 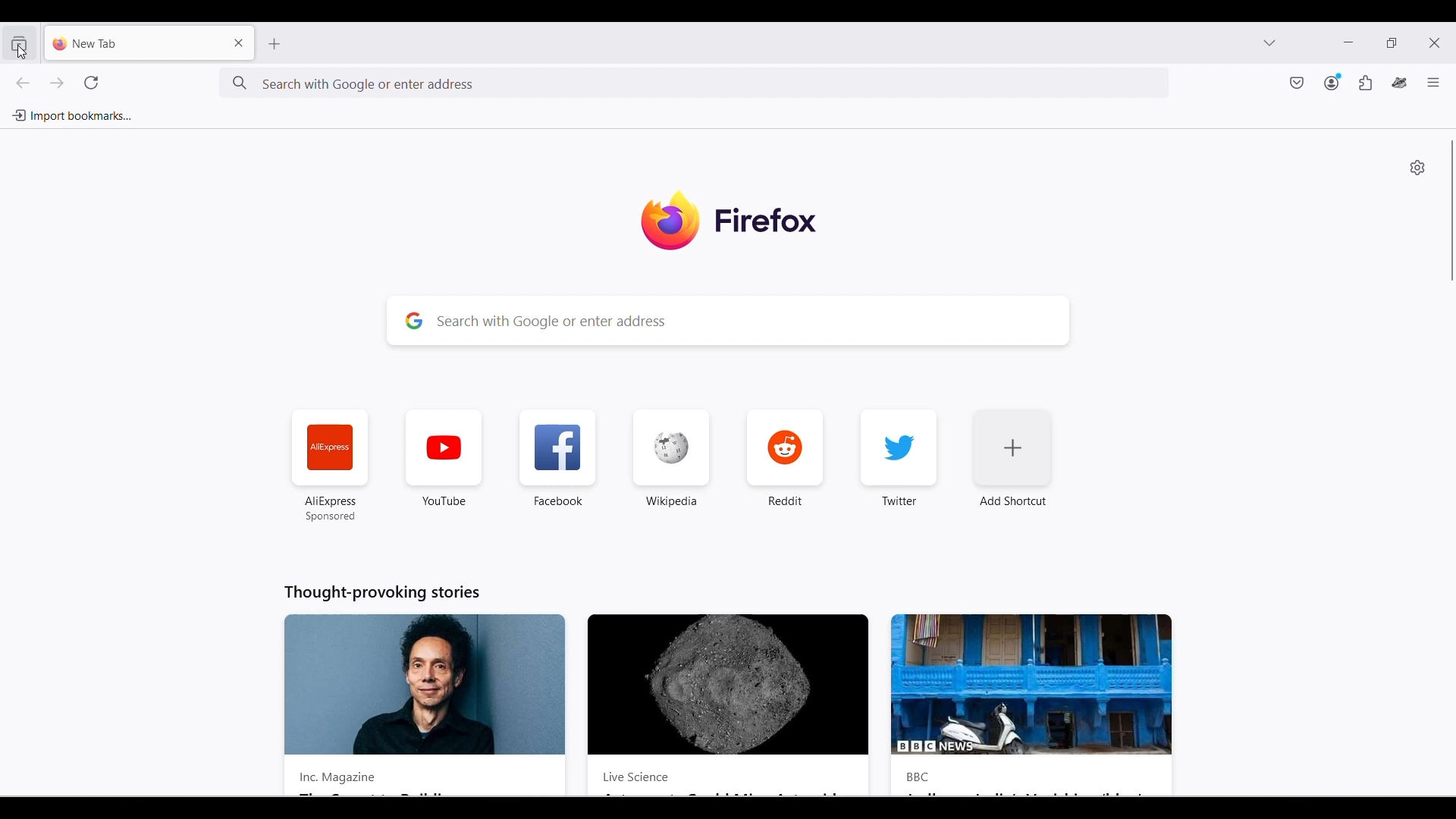 I want to click on Cursor clicking on View recent browse history, so click(x=22, y=52).